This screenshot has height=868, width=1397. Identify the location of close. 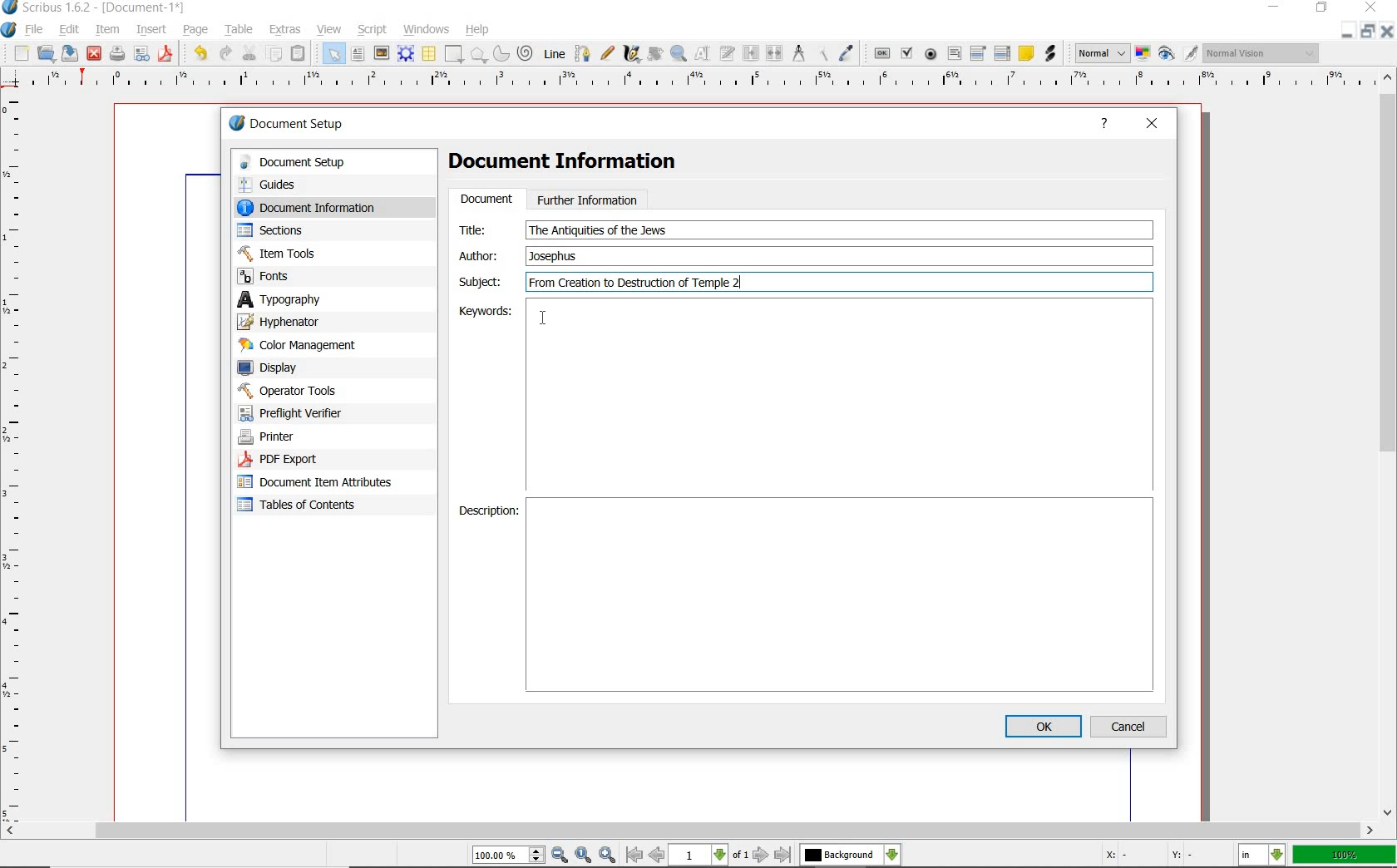
(95, 55).